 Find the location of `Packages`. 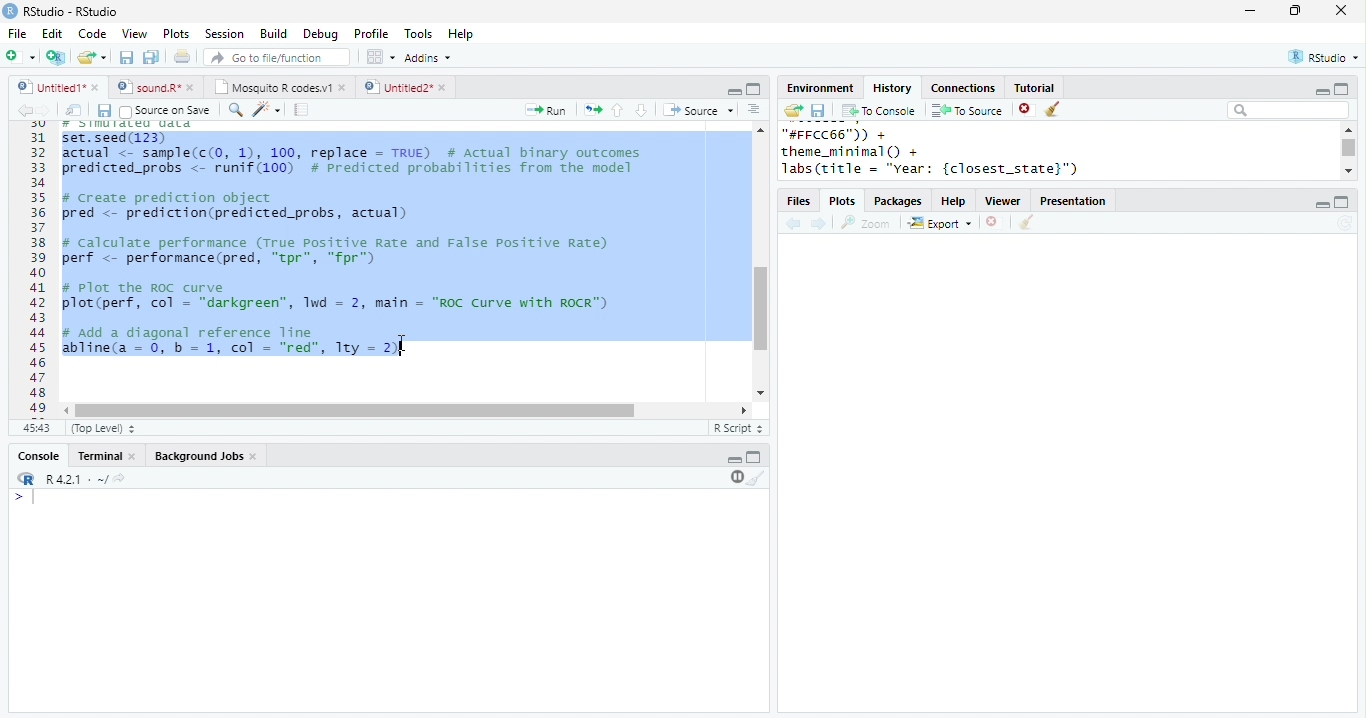

Packages is located at coordinates (898, 202).